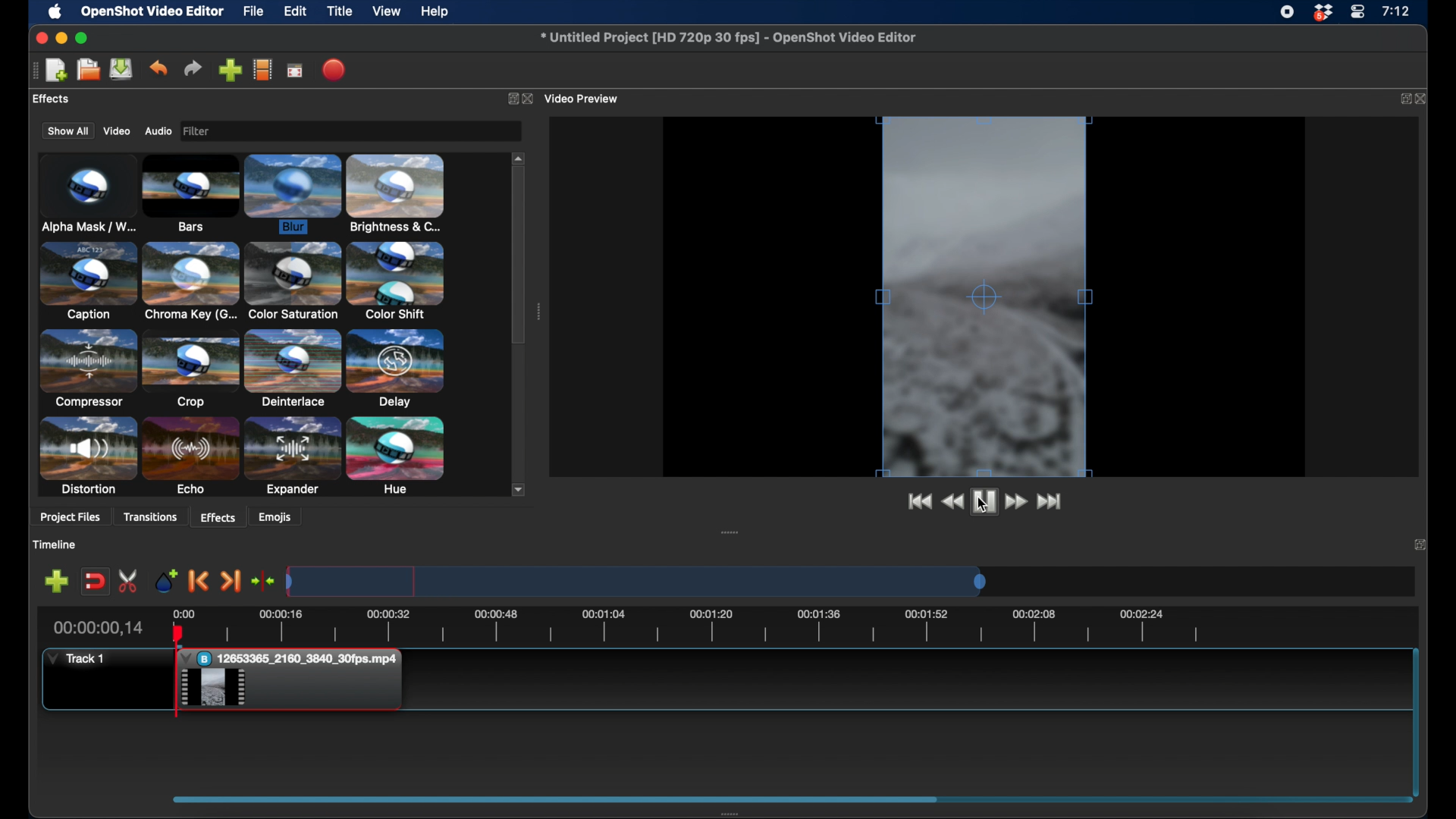 This screenshot has height=819, width=1456. I want to click on enable razor, so click(129, 580).